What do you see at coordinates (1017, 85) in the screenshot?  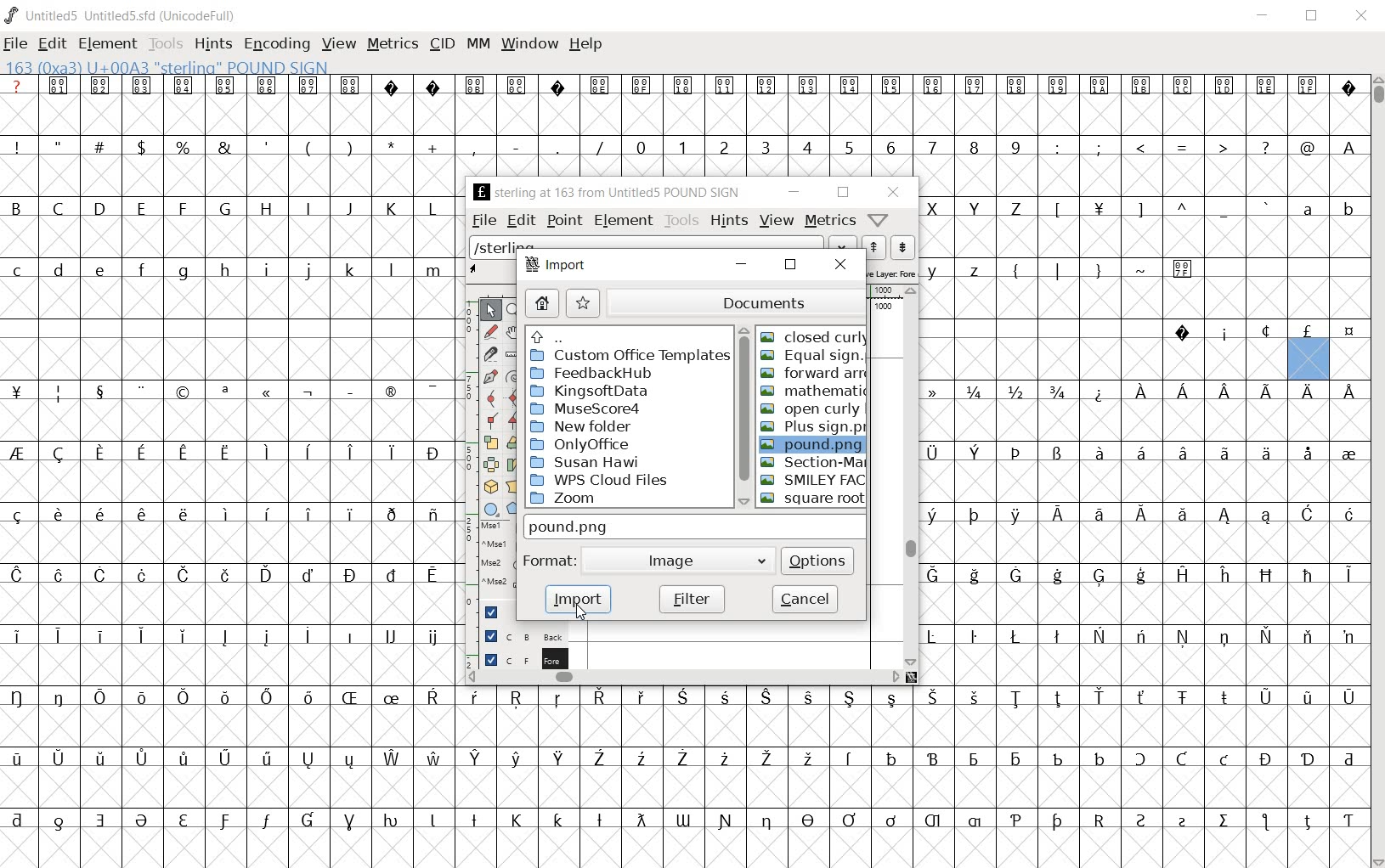 I see `Symbol` at bounding box center [1017, 85].